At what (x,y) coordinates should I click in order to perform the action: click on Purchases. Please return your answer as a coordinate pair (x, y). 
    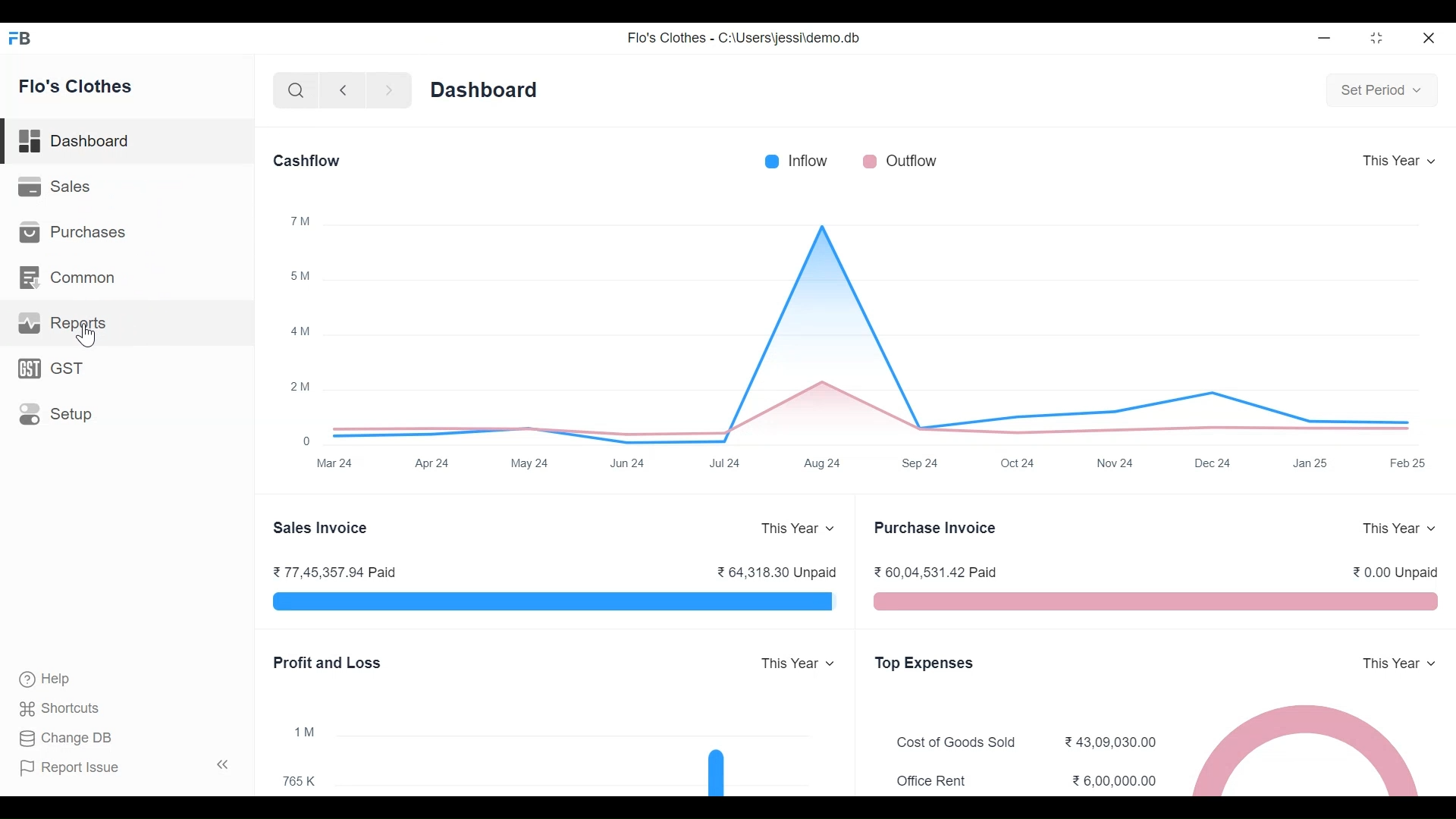
    Looking at the image, I should click on (74, 232).